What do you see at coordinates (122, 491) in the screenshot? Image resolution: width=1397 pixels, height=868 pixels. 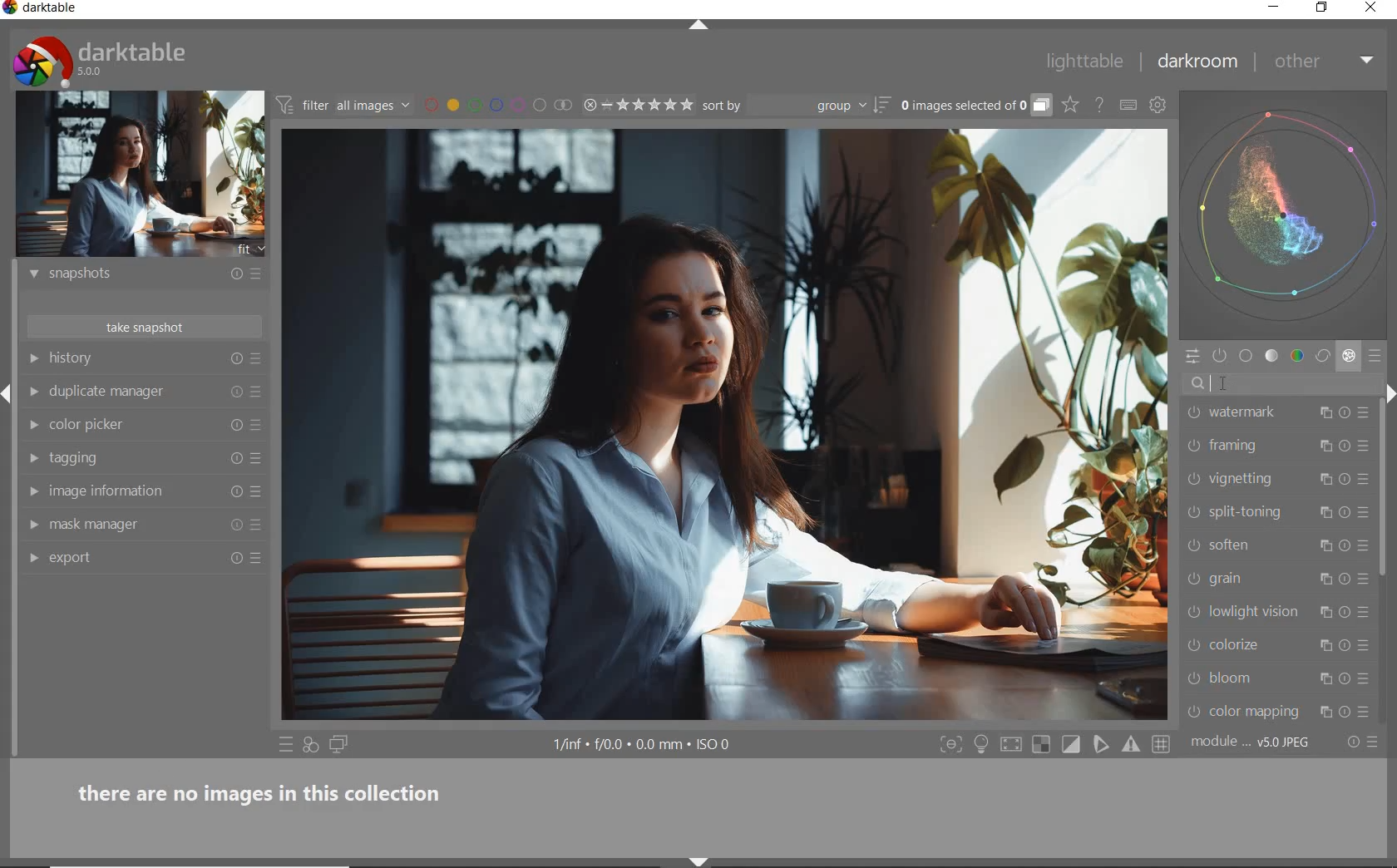 I see `image information` at bounding box center [122, 491].